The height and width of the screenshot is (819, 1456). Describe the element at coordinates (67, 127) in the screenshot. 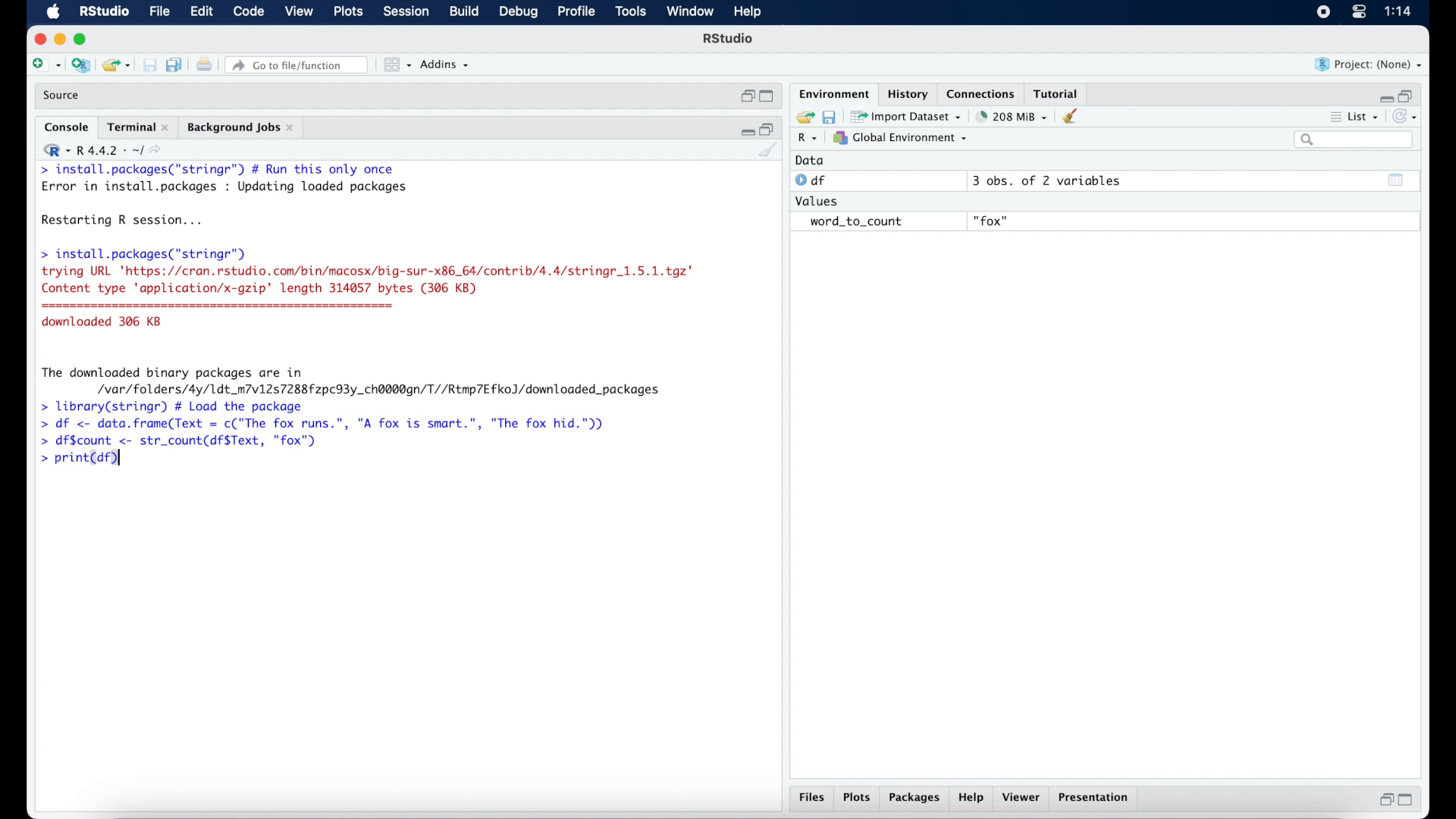

I see `console` at that location.